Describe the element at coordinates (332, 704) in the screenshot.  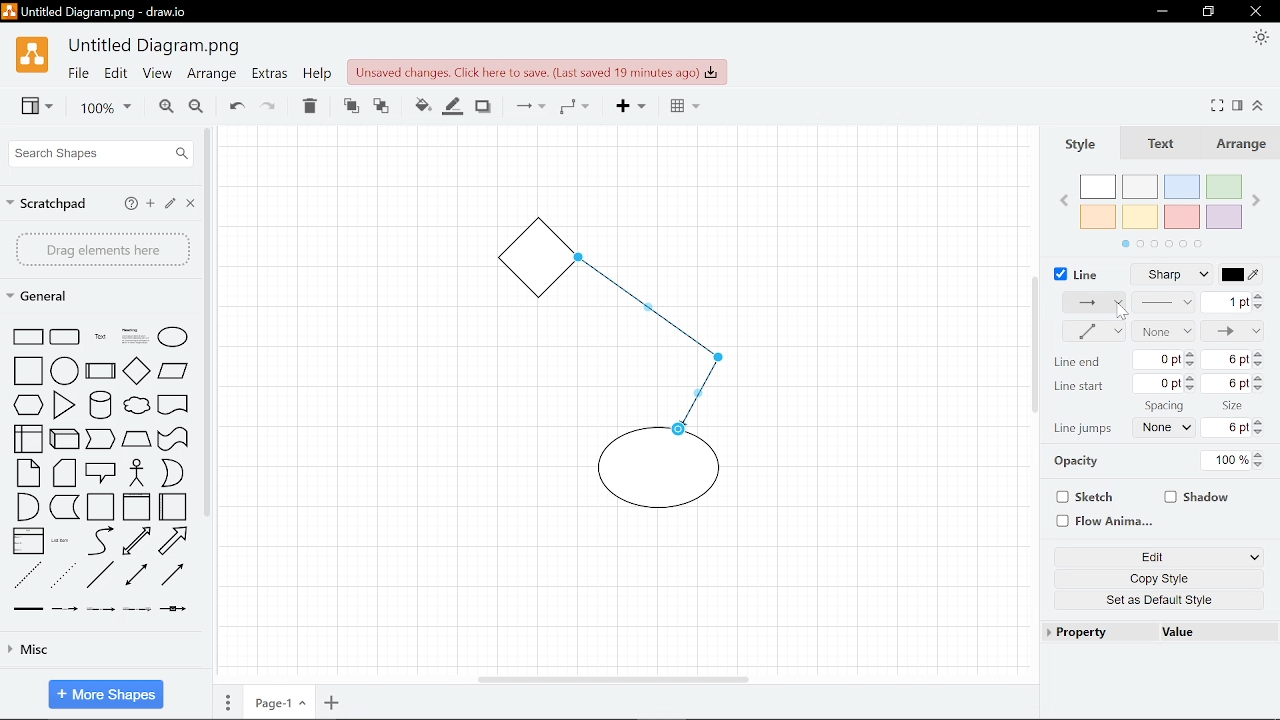
I see `+` at that location.